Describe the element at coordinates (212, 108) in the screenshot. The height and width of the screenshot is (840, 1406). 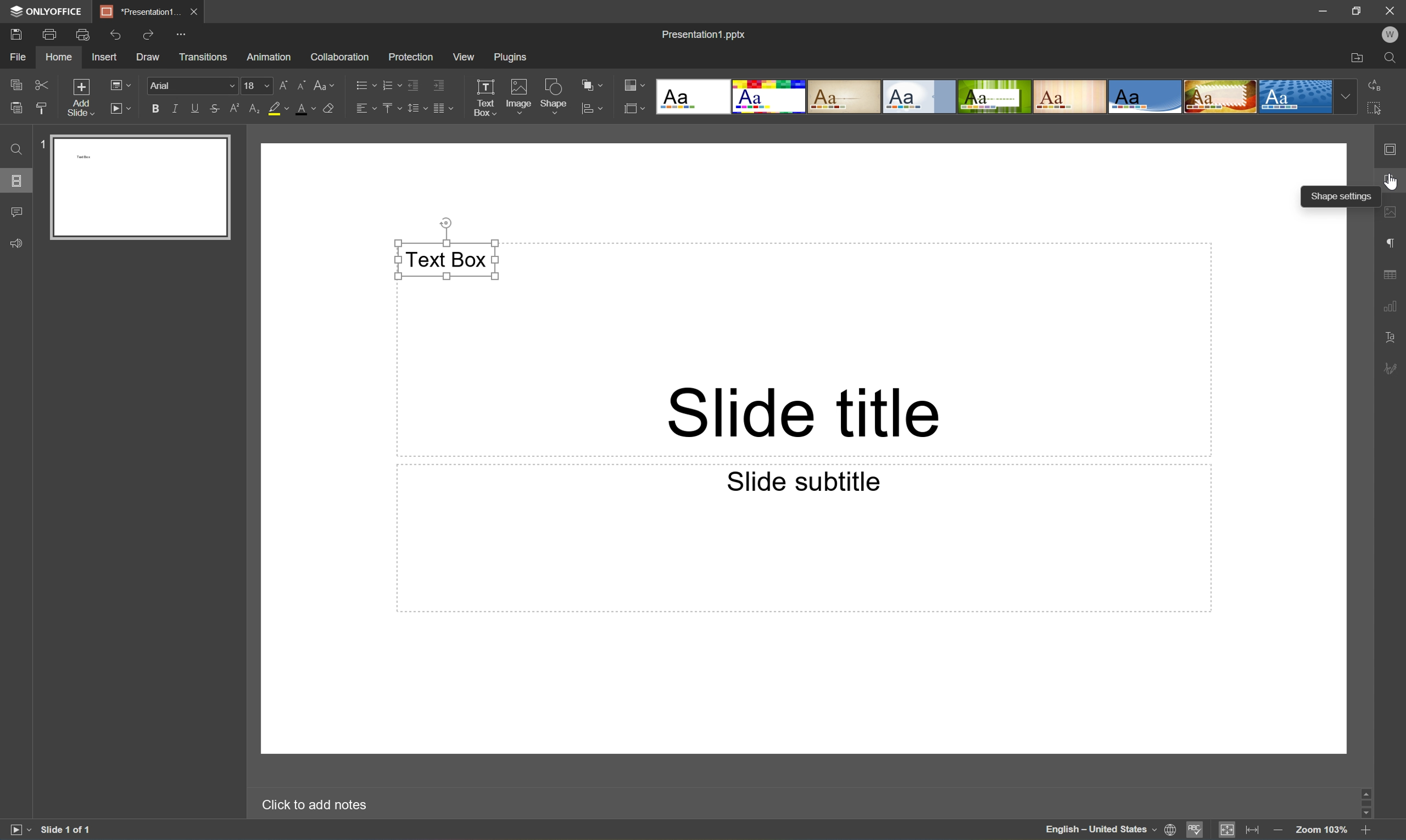
I see `Strikethrough` at that location.